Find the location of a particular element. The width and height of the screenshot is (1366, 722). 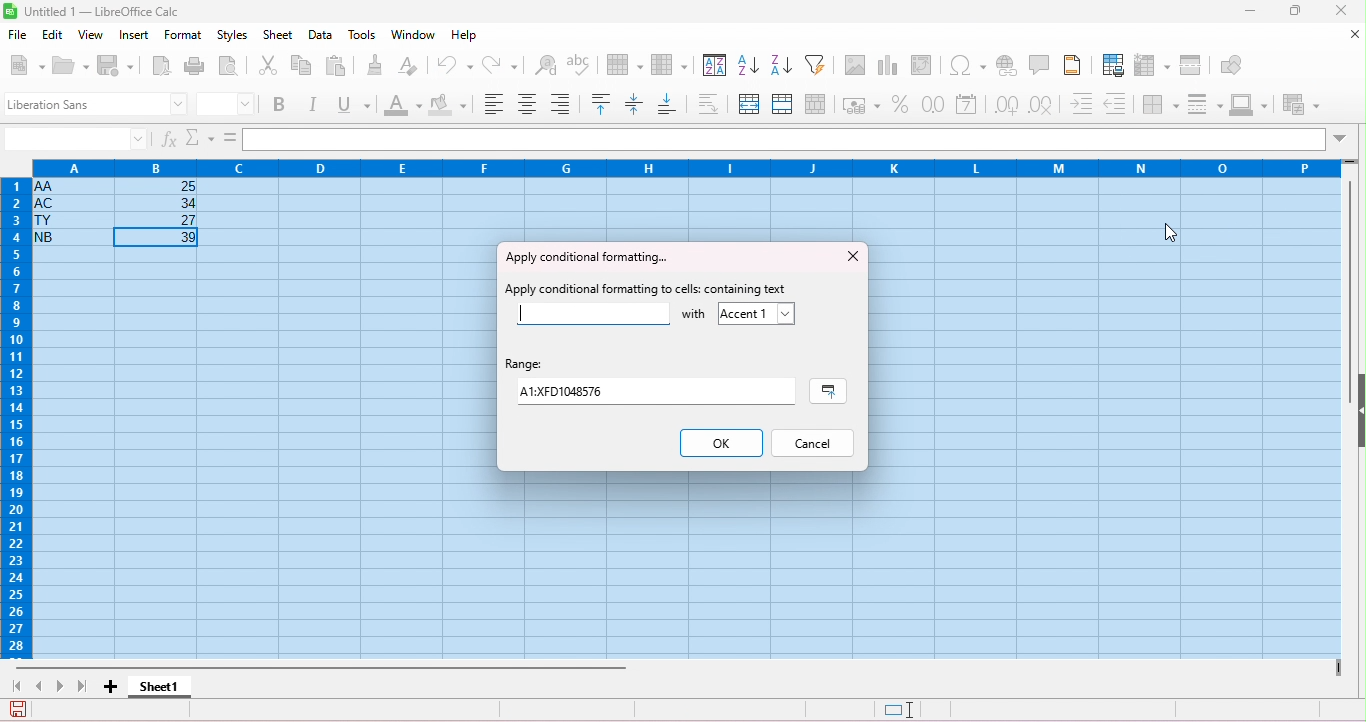

cursor movement is located at coordinates (1171, 232).